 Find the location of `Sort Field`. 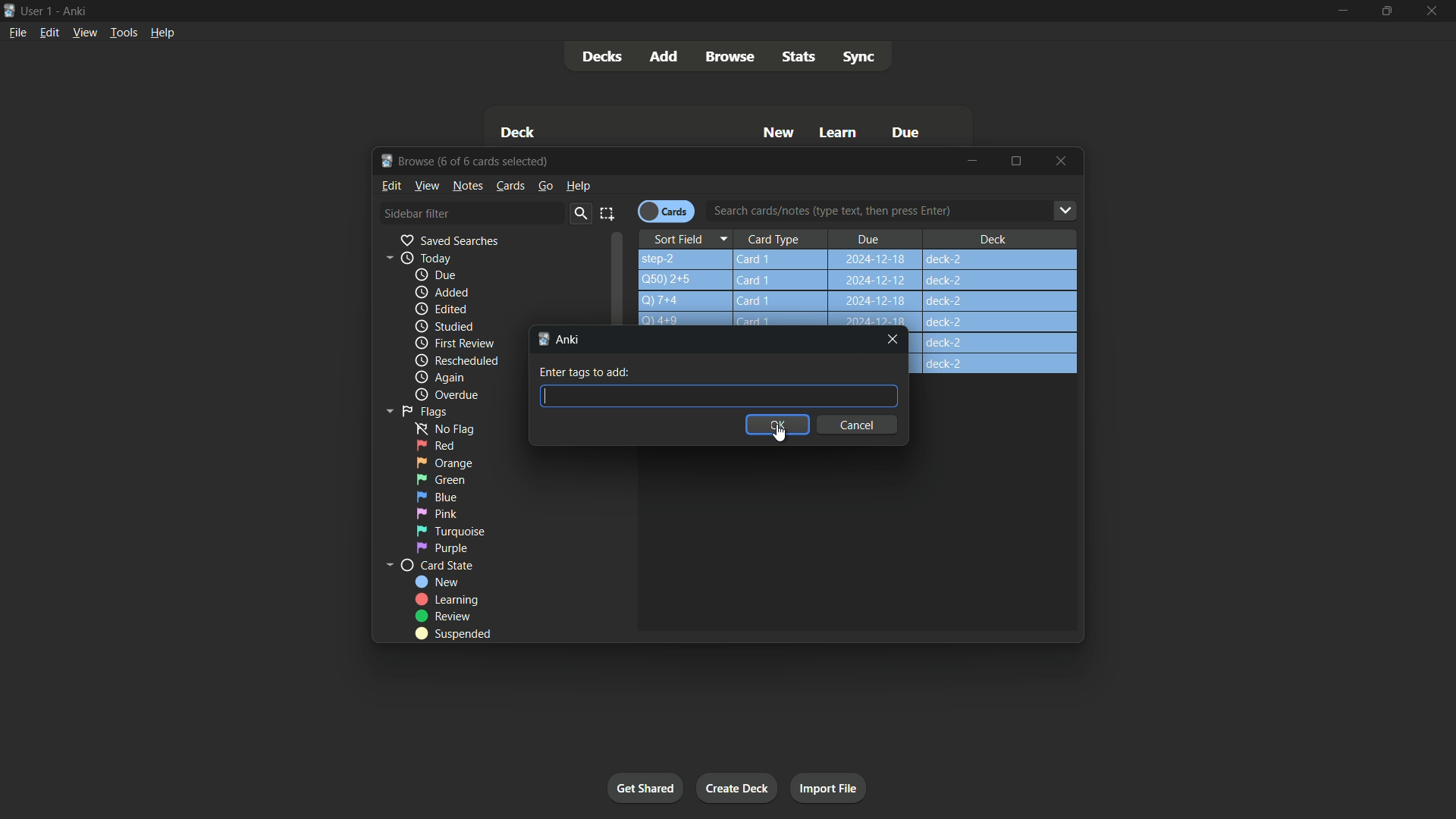

Sort Field is located at coordinates (689, 237).